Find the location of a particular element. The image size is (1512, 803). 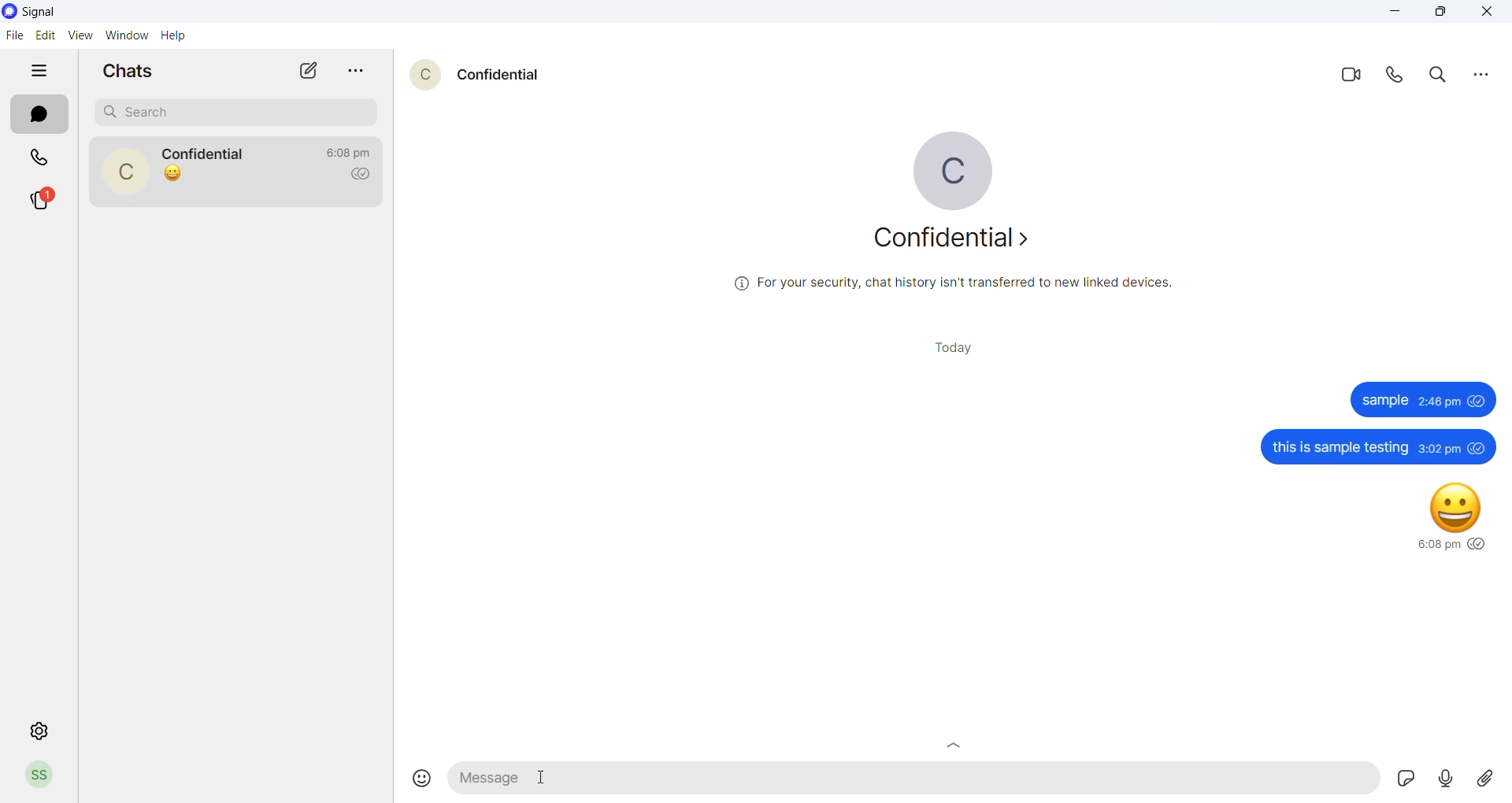

cursor is located at coordinates (536, 775).